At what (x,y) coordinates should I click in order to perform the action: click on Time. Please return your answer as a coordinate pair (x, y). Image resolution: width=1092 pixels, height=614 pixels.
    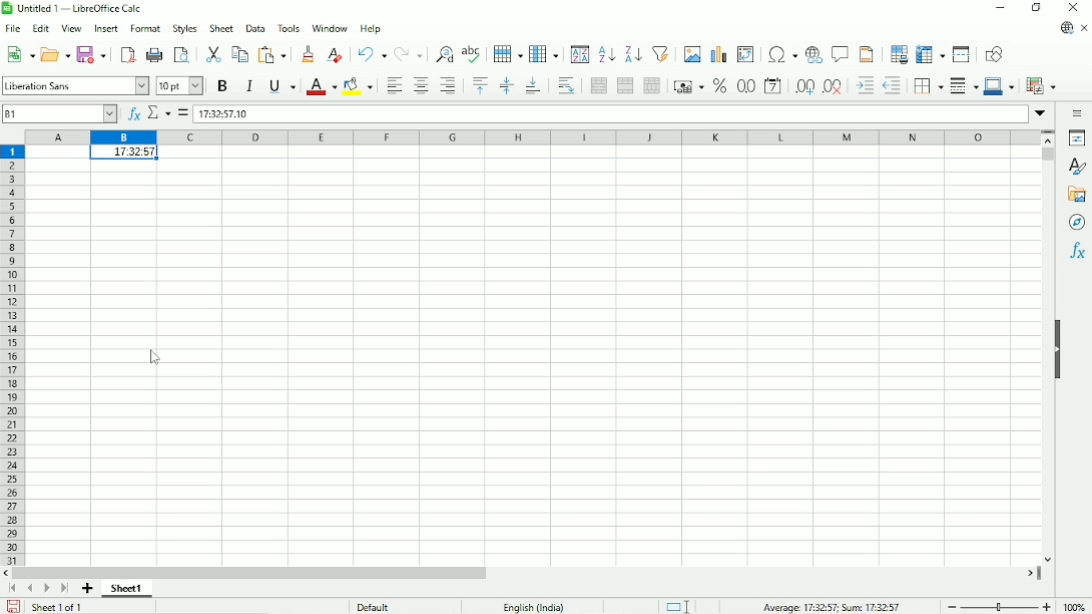
    Looking at the image, I should click on (122, 153).